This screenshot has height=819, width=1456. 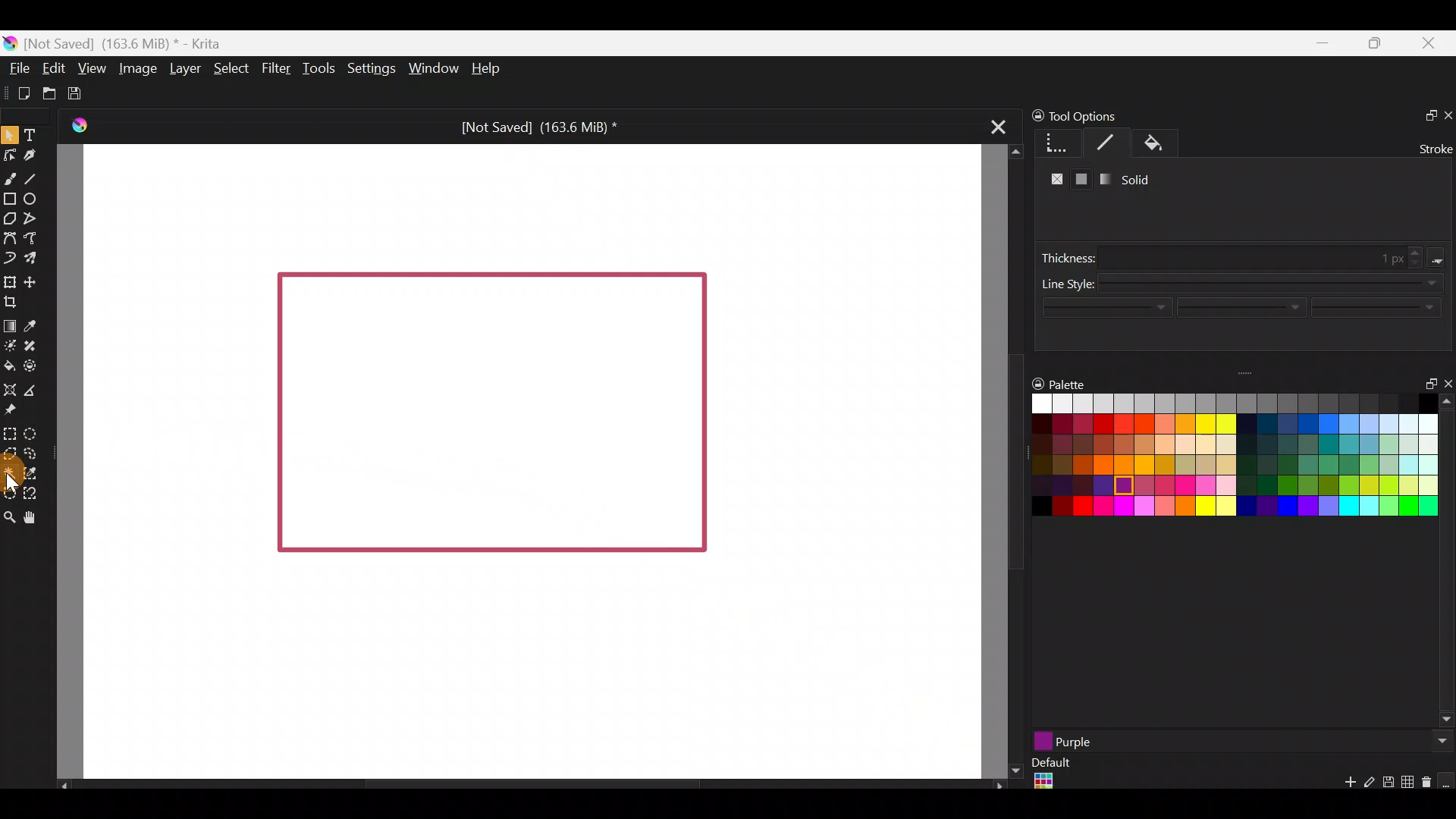 What do you see at coordinates (999, 131) in the screenshot?
I see `Close tab` at bounding box center [999, 131].